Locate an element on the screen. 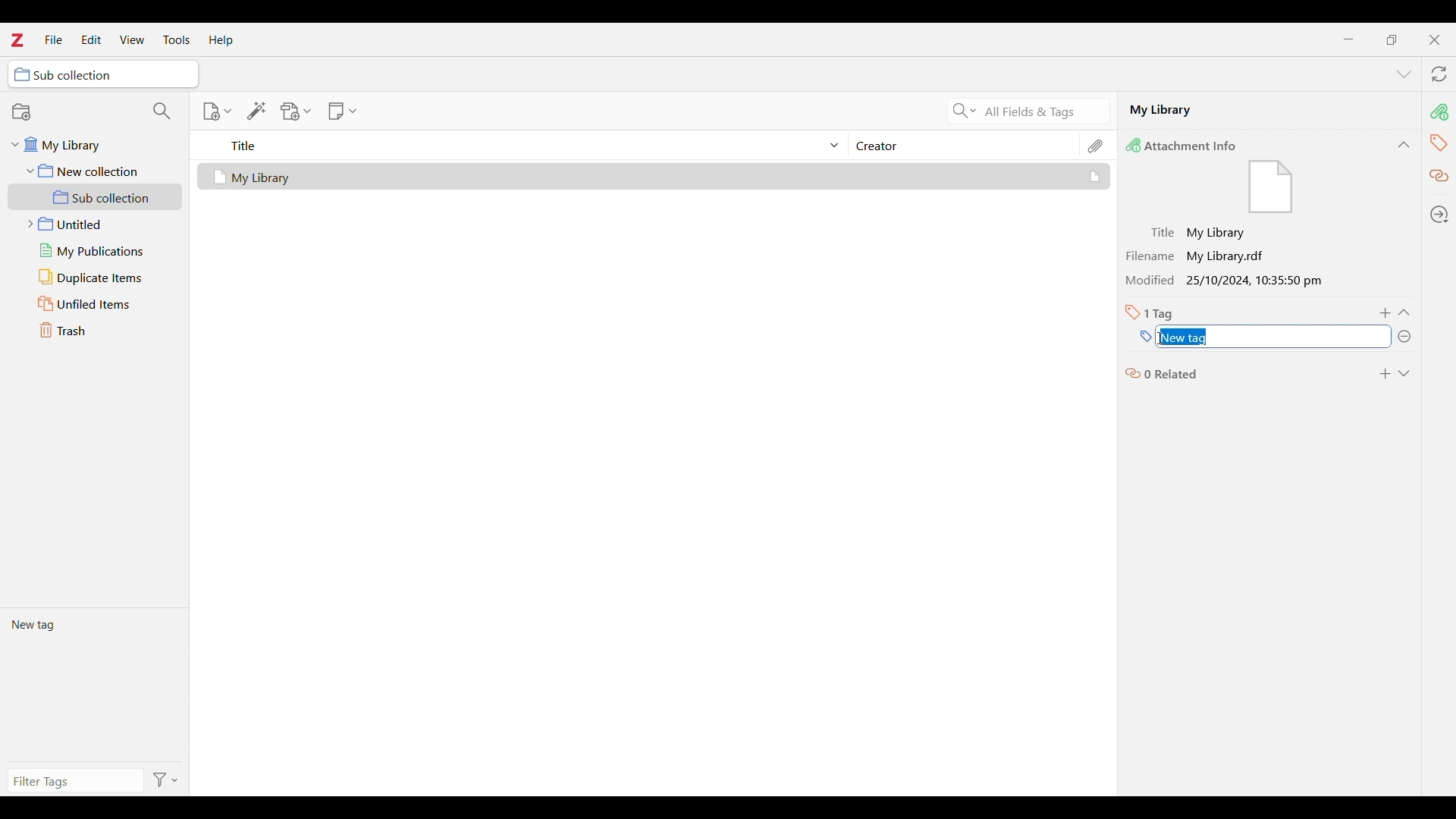 The image size is (1456, 819). Collapse is located at coordinates (1404, 145).